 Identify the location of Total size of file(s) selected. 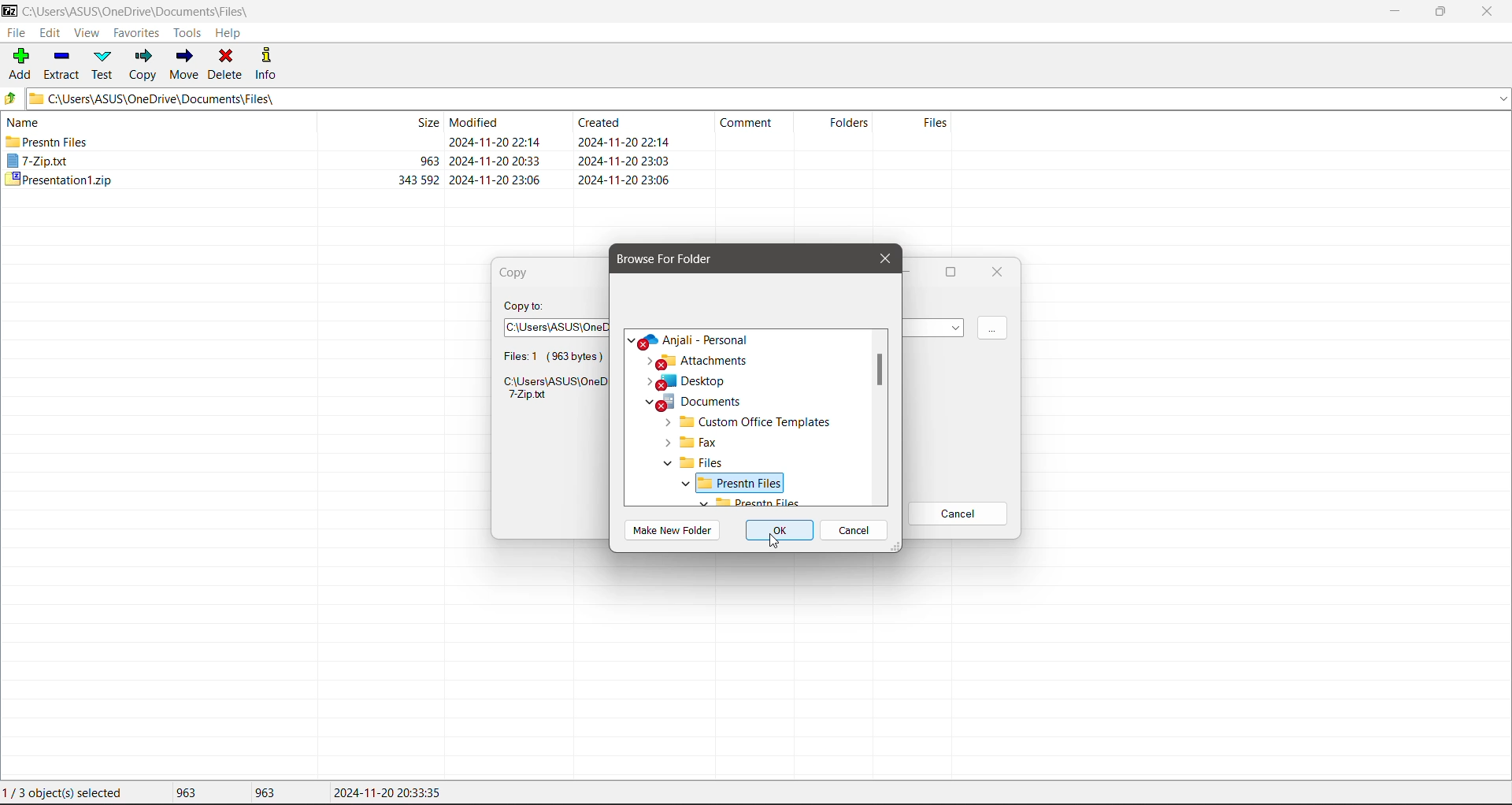
(182, 793).